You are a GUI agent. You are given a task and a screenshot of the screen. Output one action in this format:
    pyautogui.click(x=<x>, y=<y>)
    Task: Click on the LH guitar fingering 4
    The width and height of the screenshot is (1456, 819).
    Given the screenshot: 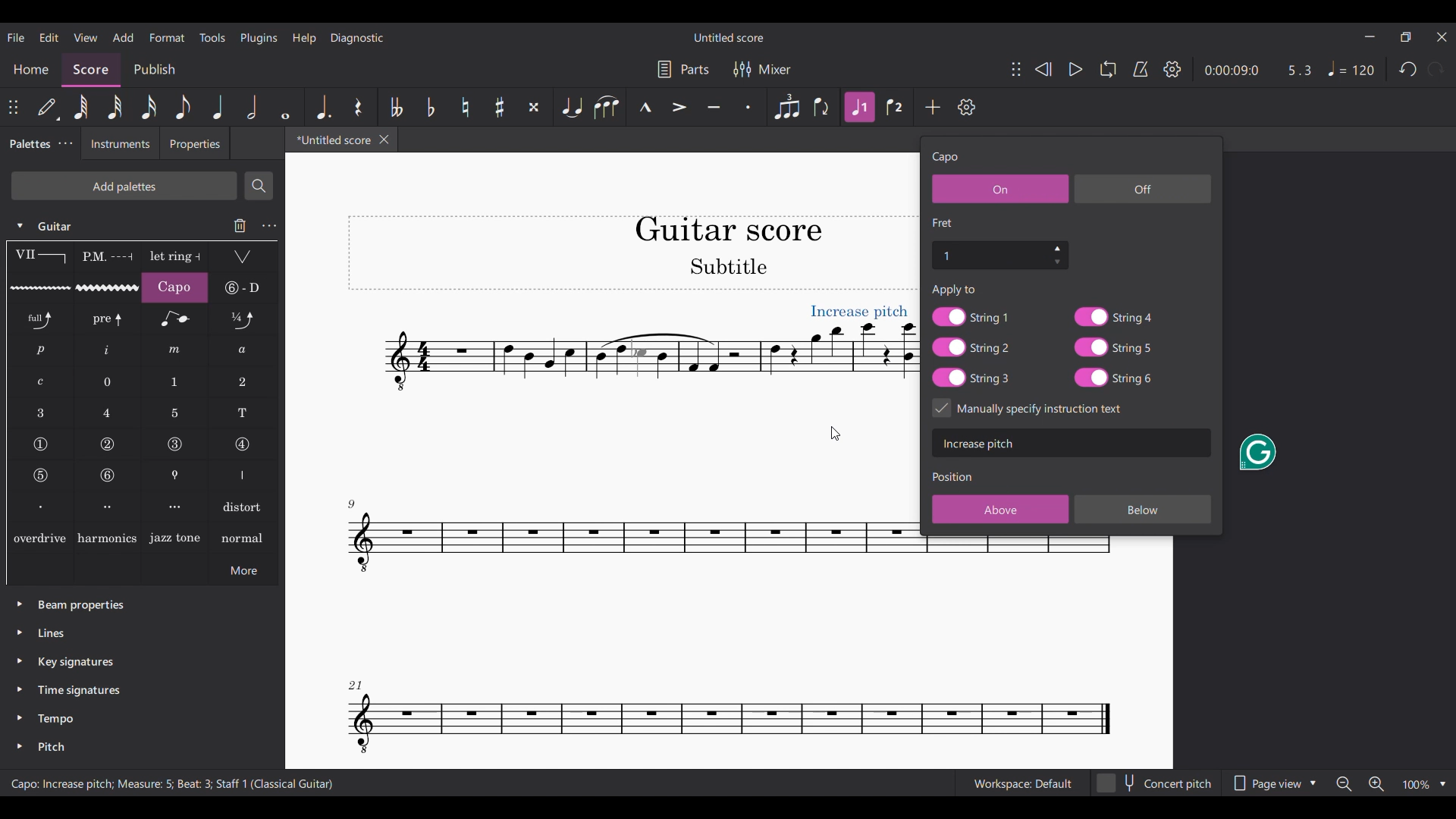 What is the action you would take?
    pyautogui.click(x=108, y=413)
    